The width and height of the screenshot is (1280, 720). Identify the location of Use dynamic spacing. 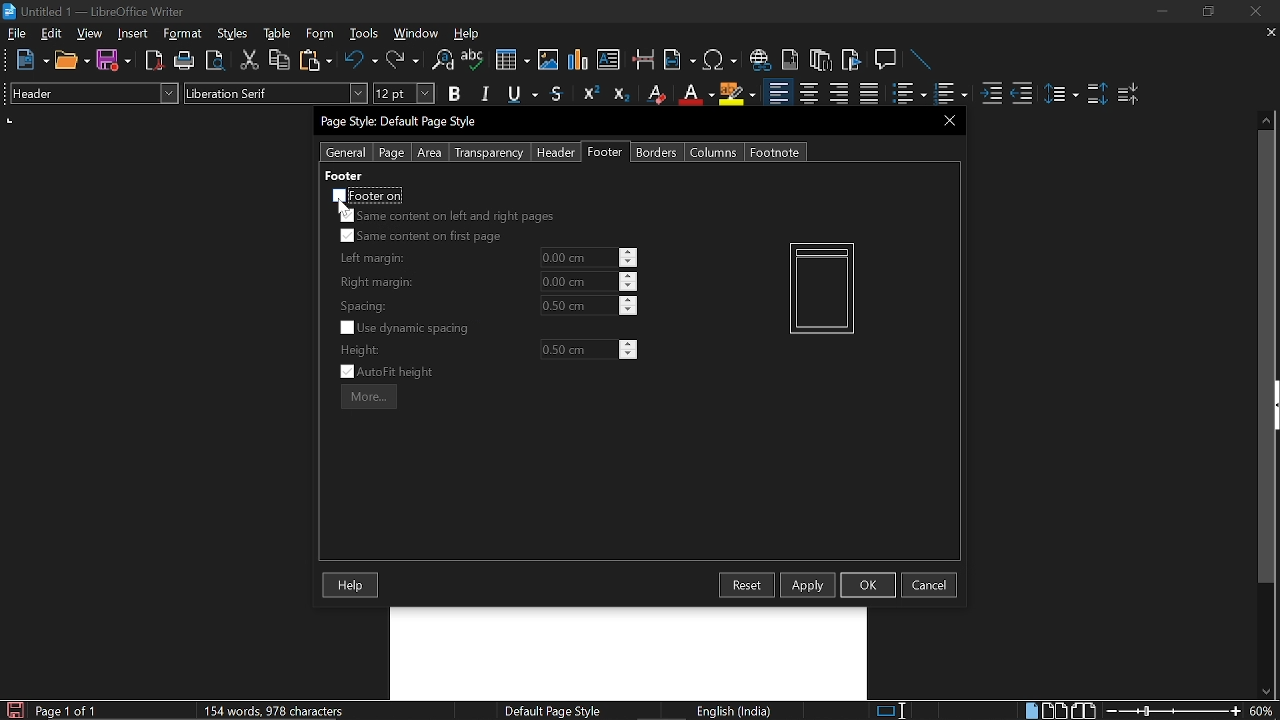
(408, 328).